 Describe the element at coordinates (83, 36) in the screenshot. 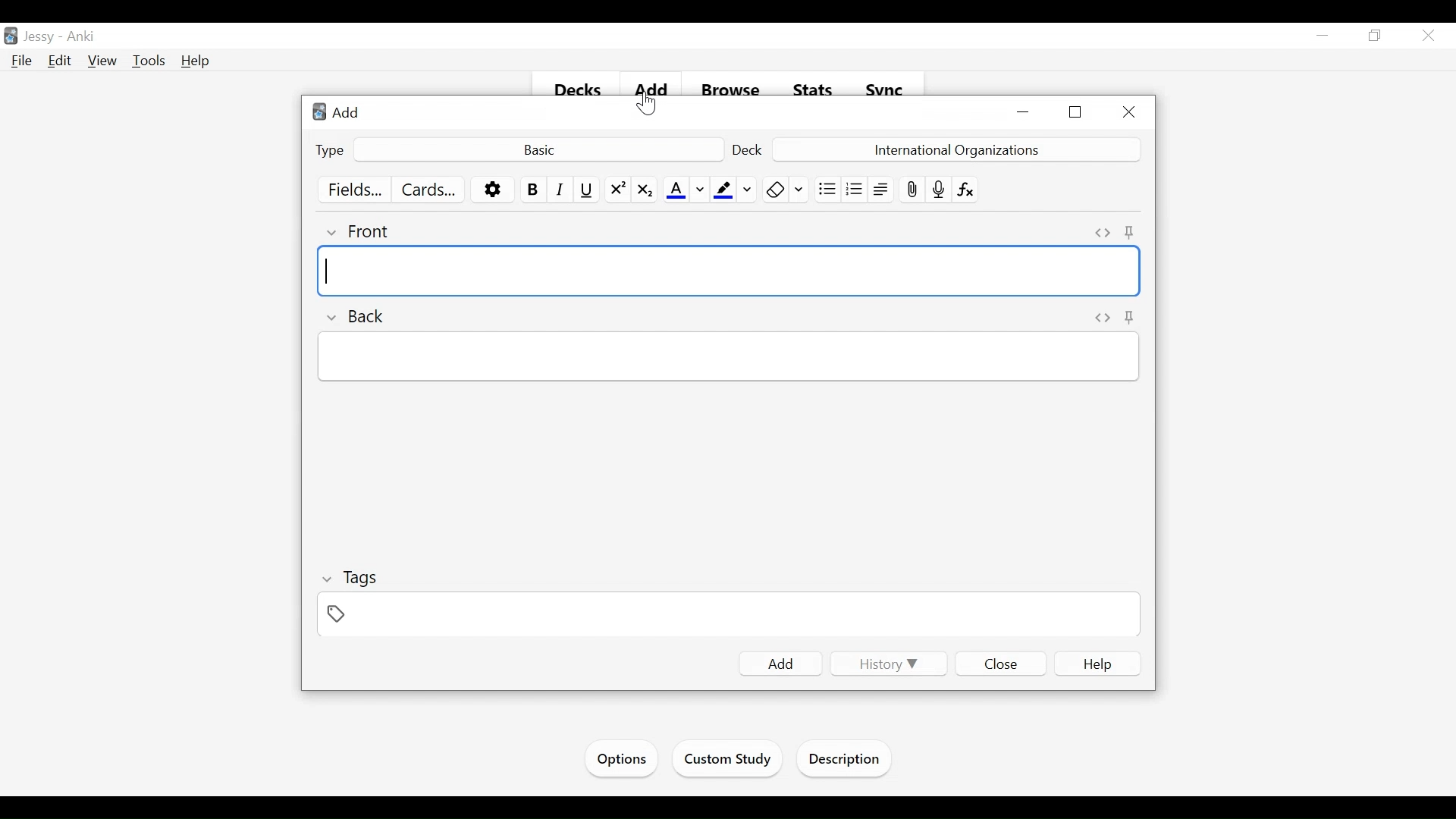

I see `Anki` at that location.